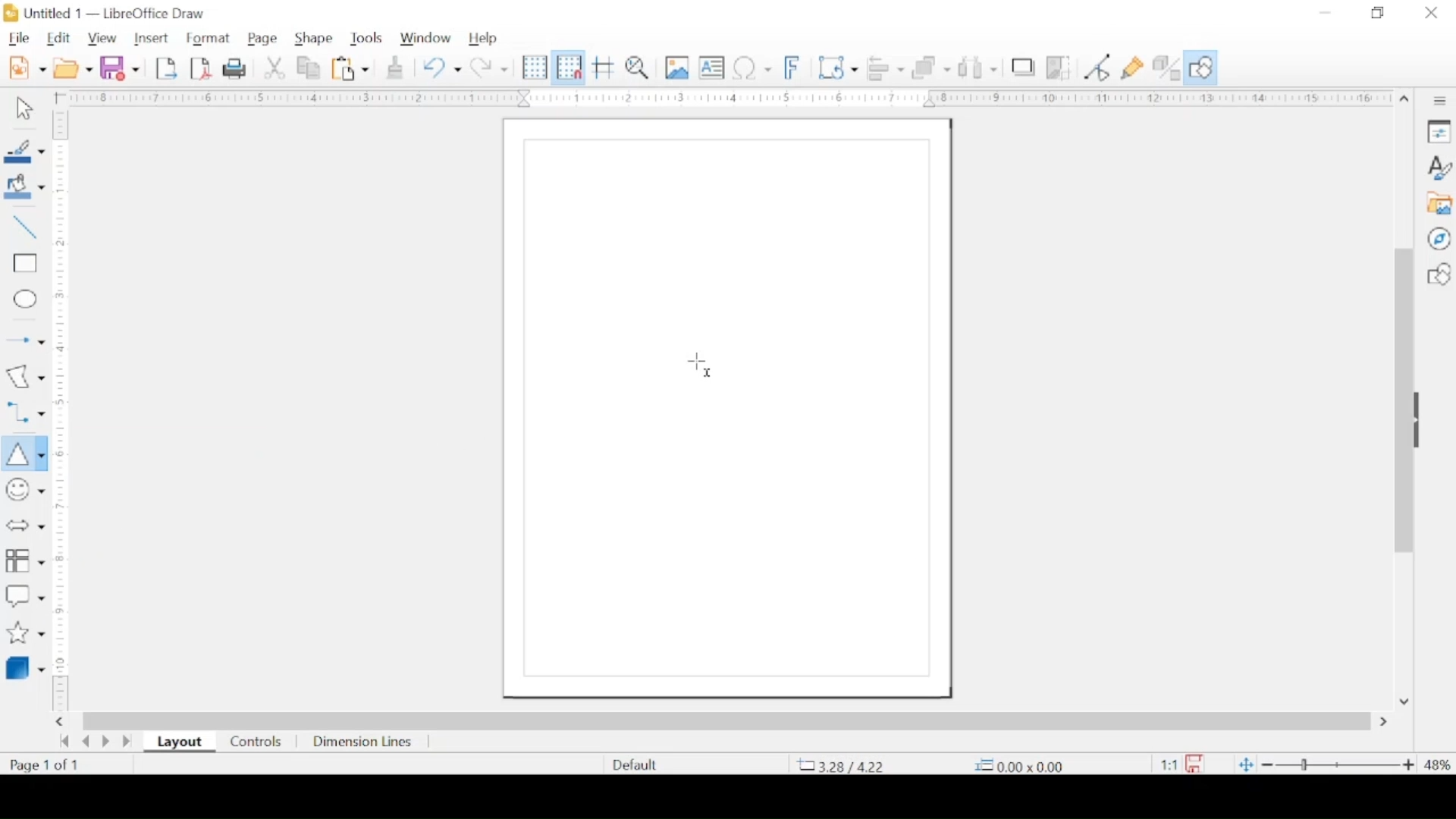 The width and height of the screenshot is (1456, 819). I want to click on moving cursor, so click(701, 366).